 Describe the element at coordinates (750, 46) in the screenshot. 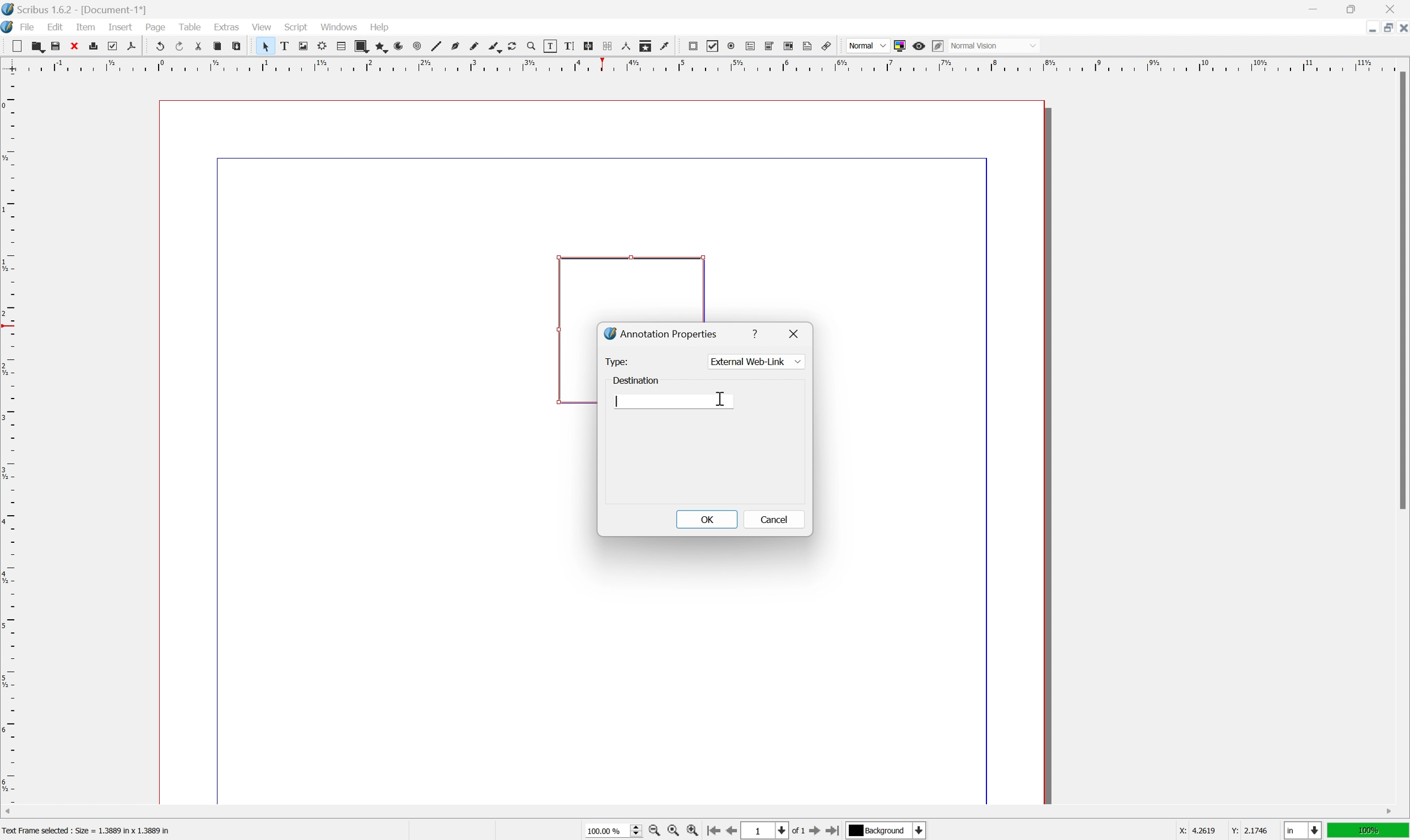

I see `pdf text field` at that location.